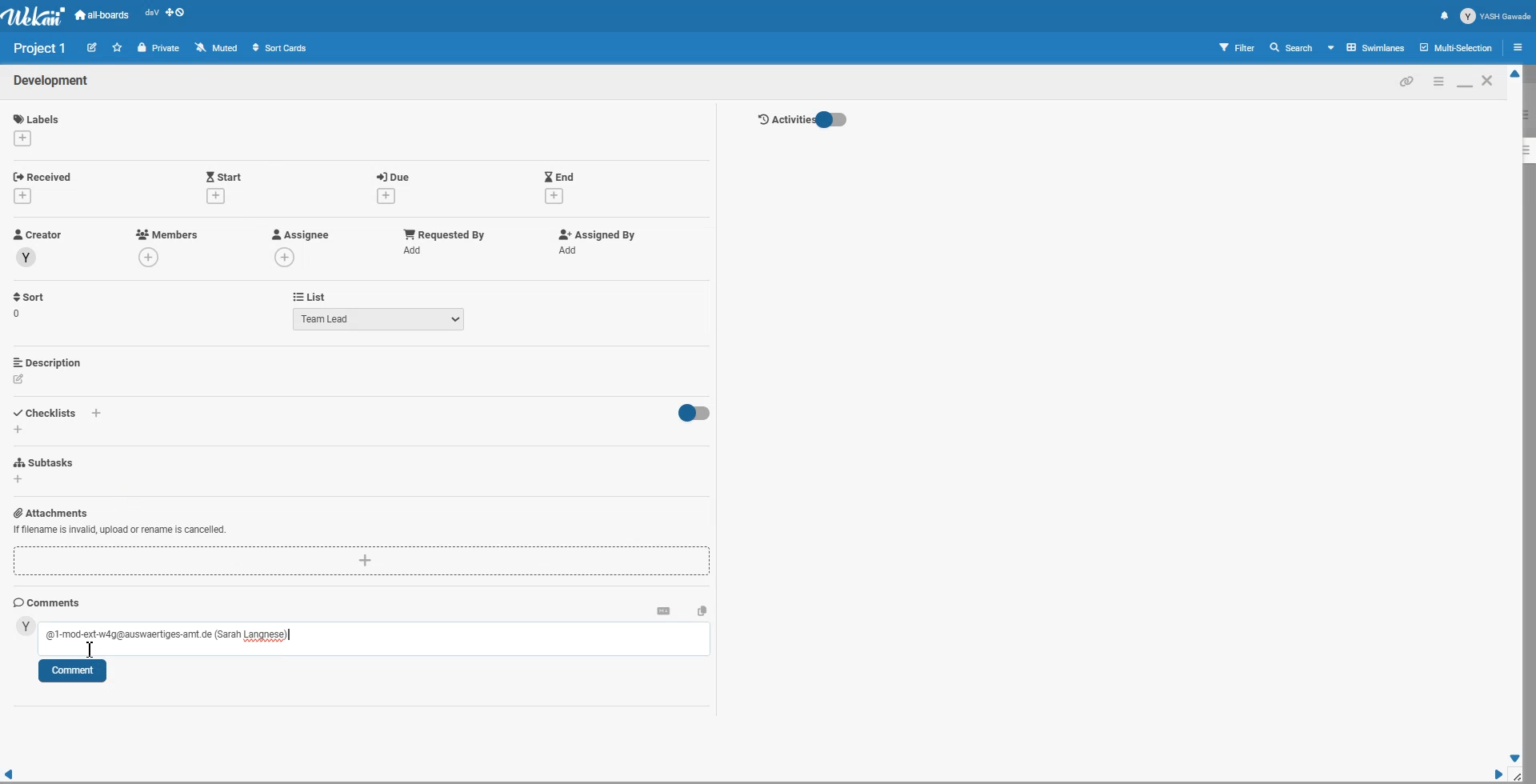 This screenshot has height=784, width=1536. What do you see at coordinates (18, 429) in the screenshot?
I see `add` at bounding box center [18, 429].